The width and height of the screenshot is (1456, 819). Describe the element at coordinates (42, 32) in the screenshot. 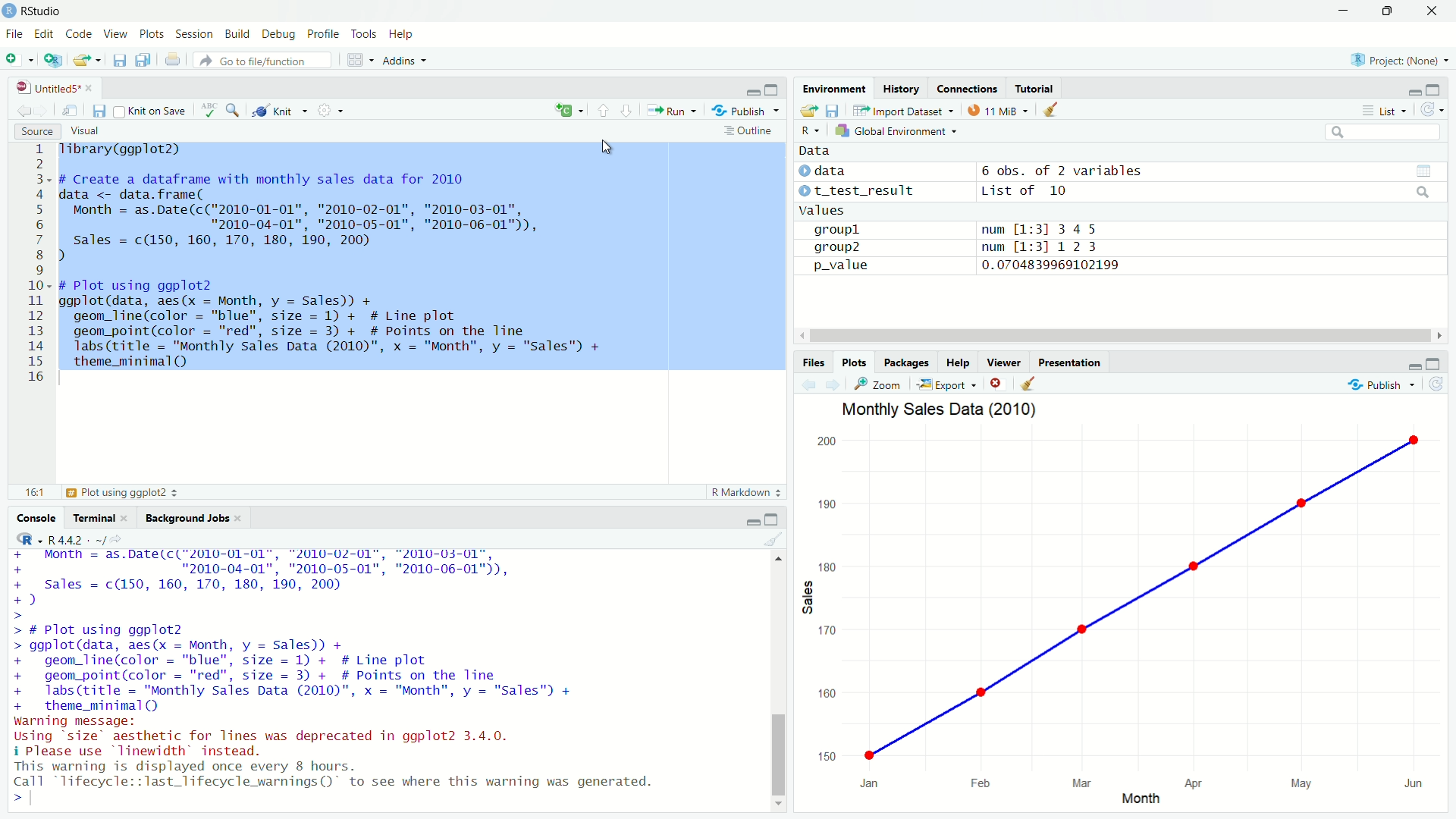

I see `Edit` at that location.